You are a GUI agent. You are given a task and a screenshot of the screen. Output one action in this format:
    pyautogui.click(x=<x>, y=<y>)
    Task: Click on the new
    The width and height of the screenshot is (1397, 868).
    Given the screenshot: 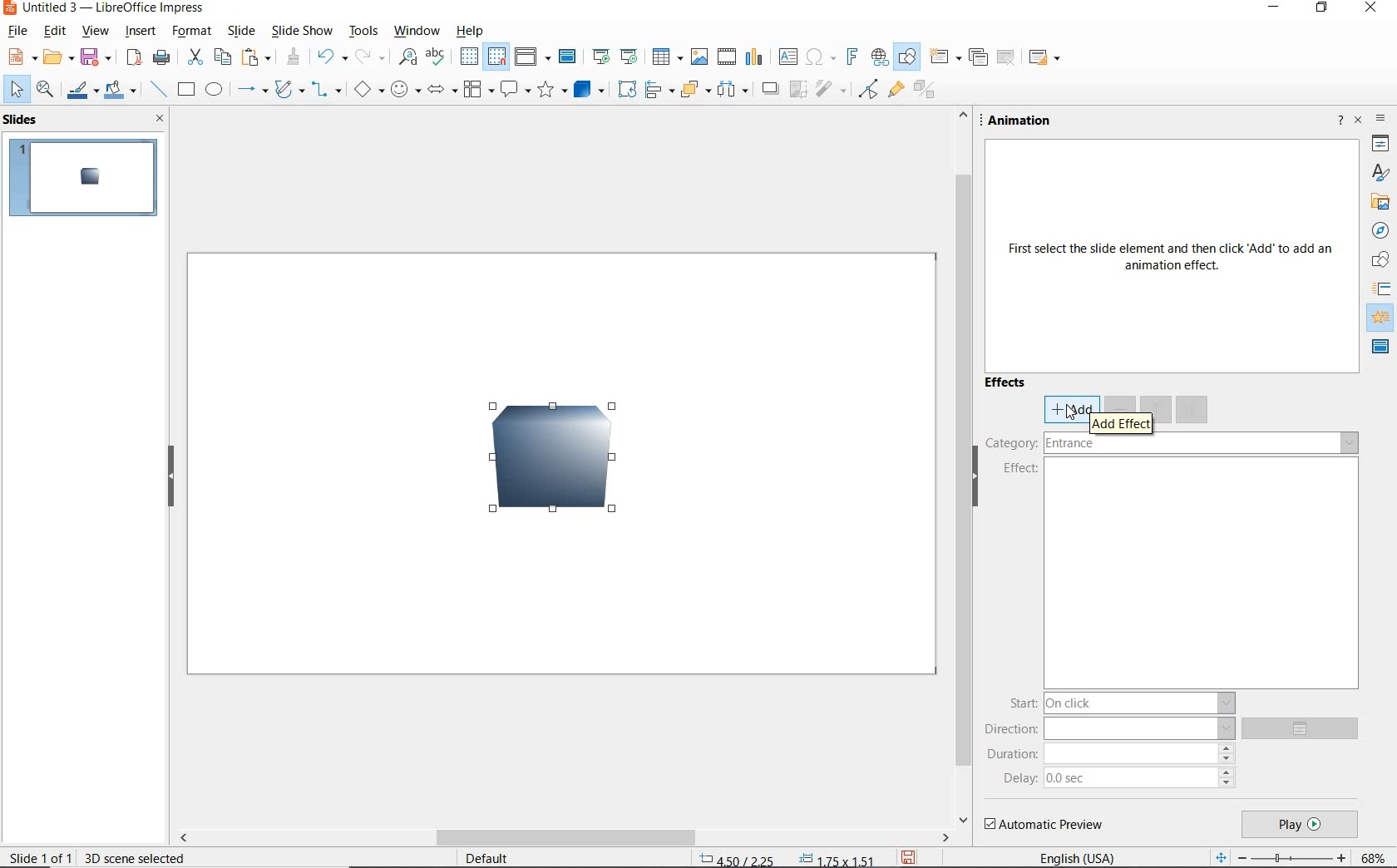 What is the action you would take?
    pyautogui.click(x=22, y=57)
    